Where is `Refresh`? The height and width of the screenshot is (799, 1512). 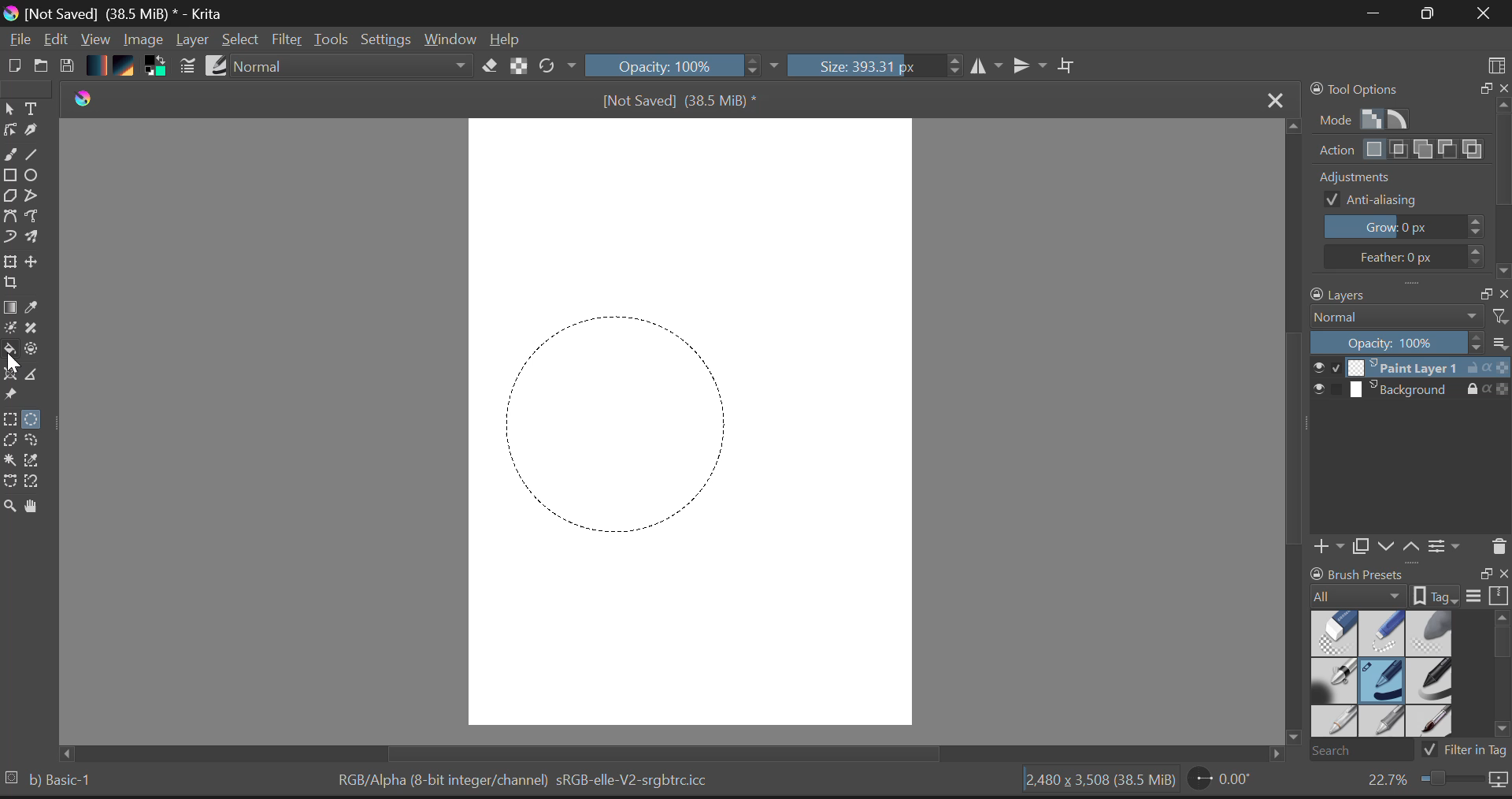 Refresh is located at coordinates (557, 67).